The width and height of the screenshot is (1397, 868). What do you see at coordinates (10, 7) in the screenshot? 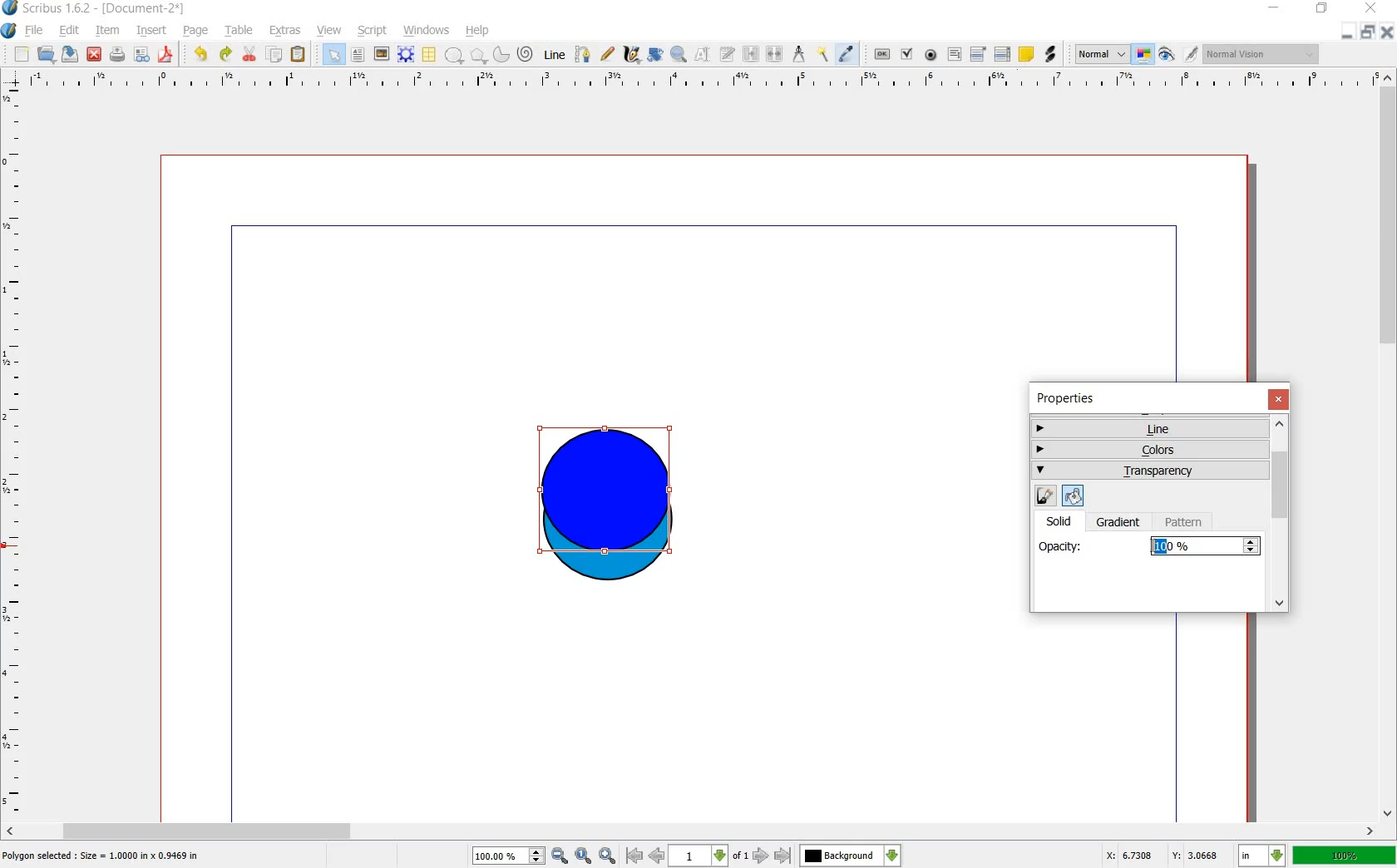
I see `logo` at bounding box center [10, 7].